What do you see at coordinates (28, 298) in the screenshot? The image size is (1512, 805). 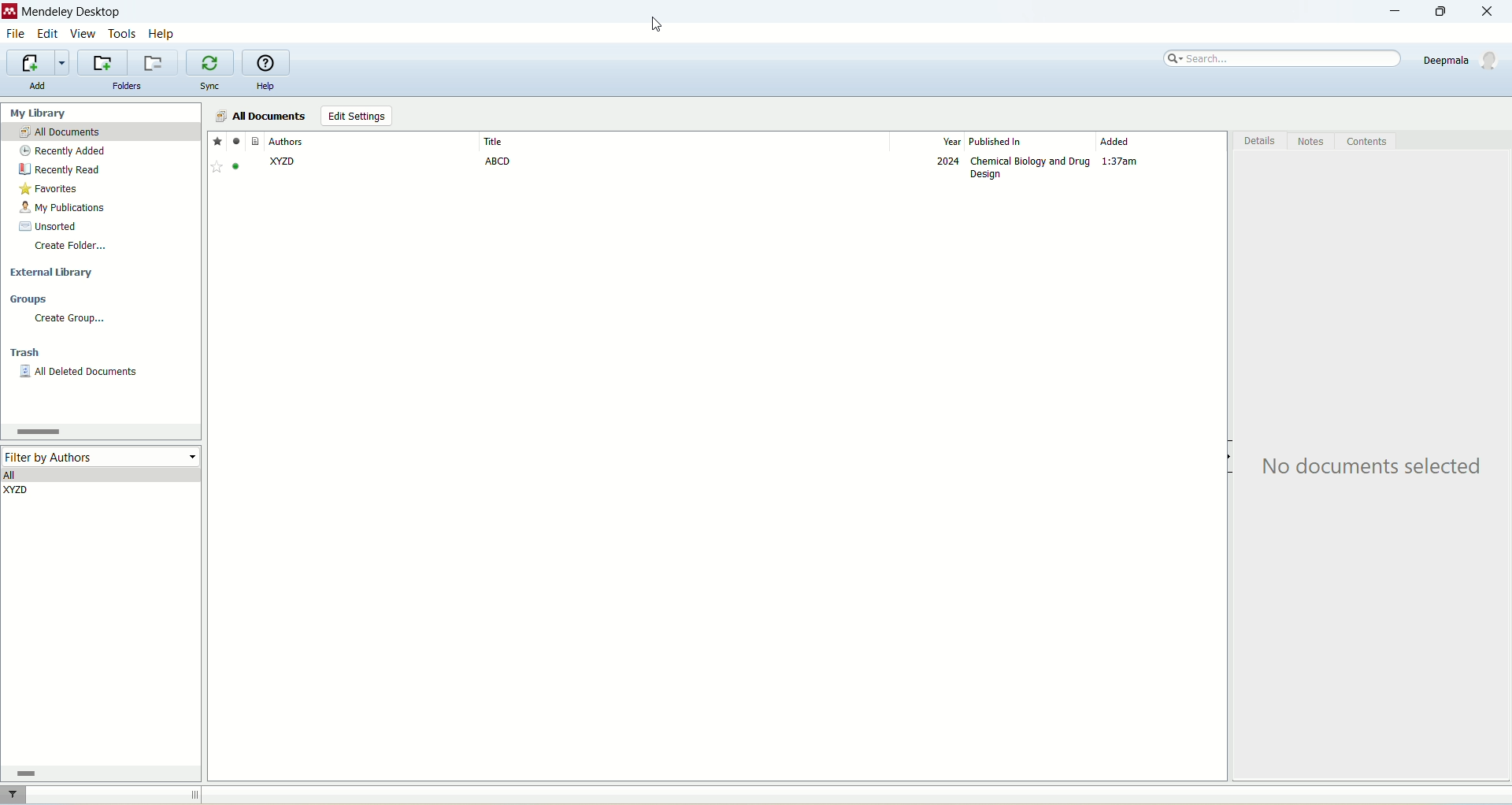 I see `groups` at bounding box center [28, 298].